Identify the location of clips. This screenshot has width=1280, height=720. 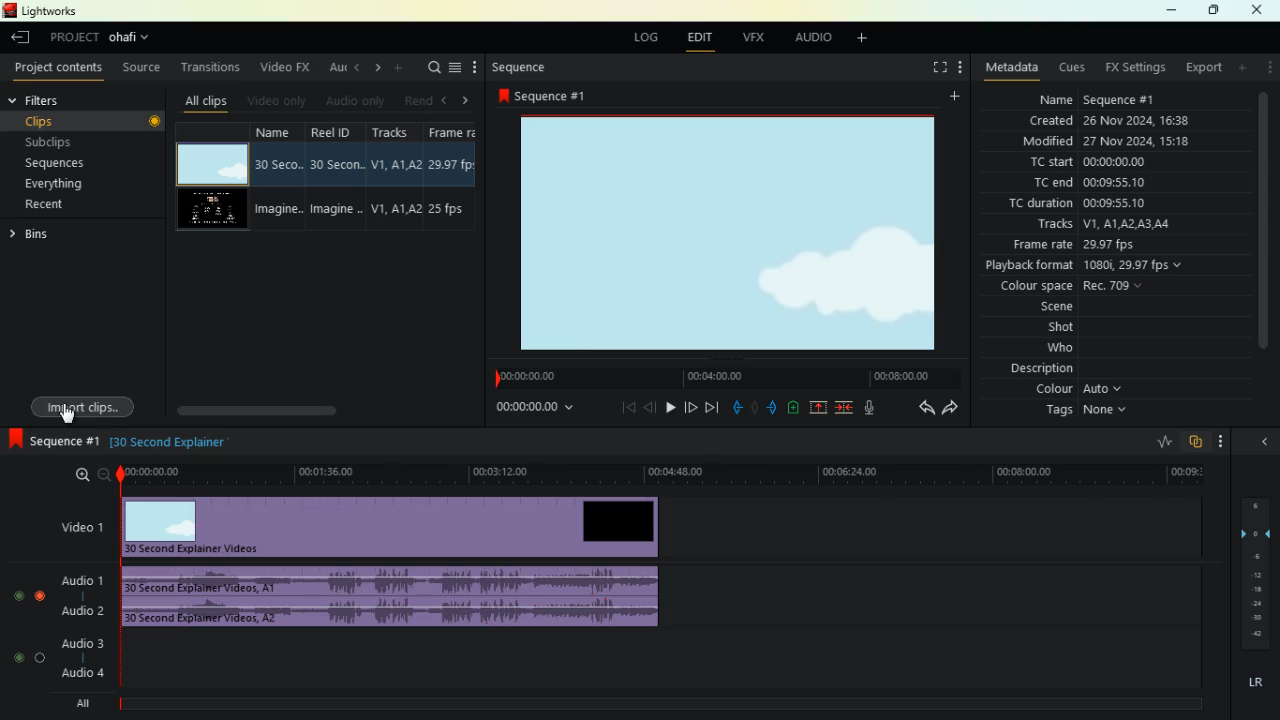
(63, 121).